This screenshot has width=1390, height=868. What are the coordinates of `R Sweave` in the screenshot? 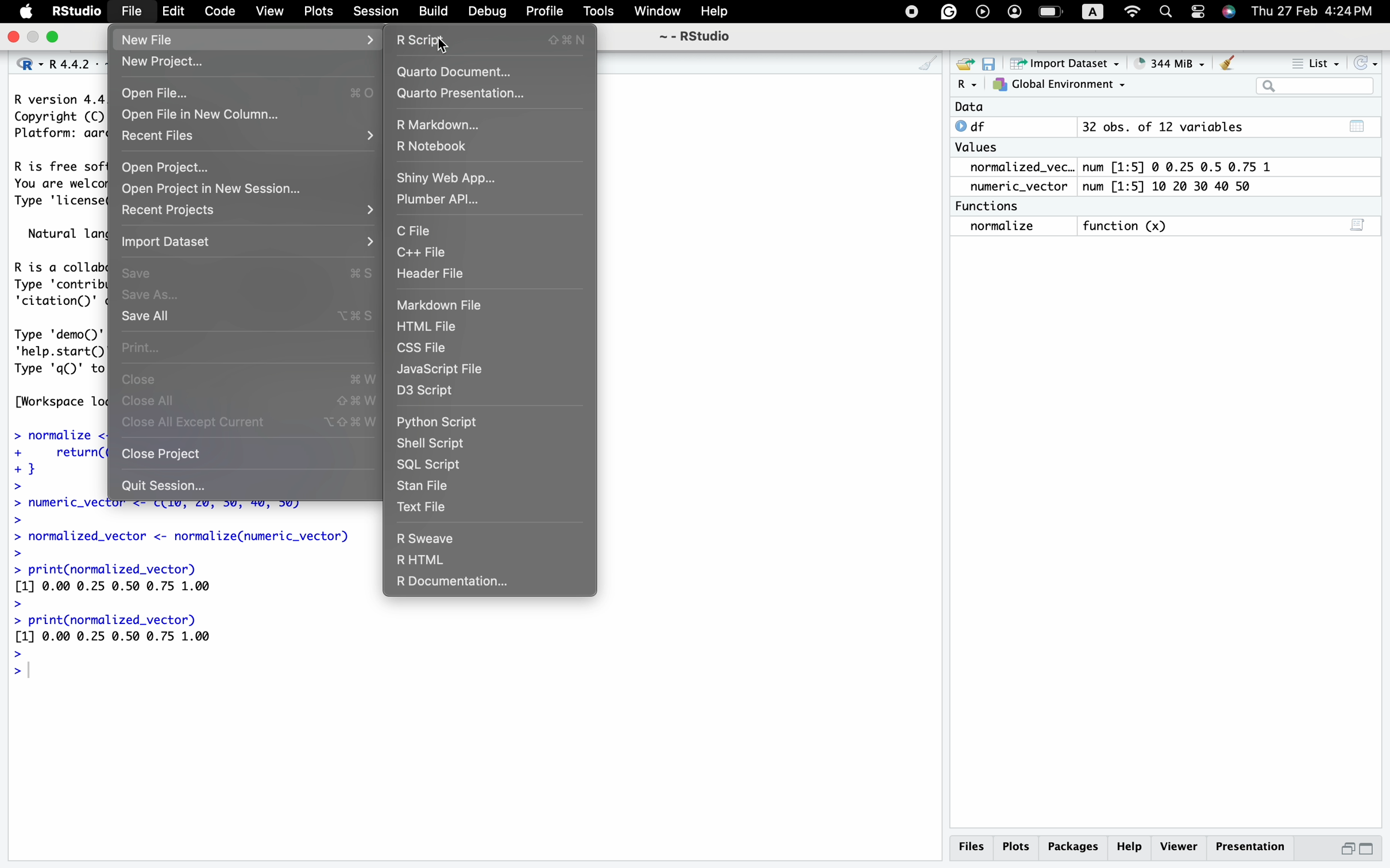 It's located at (430, 540).